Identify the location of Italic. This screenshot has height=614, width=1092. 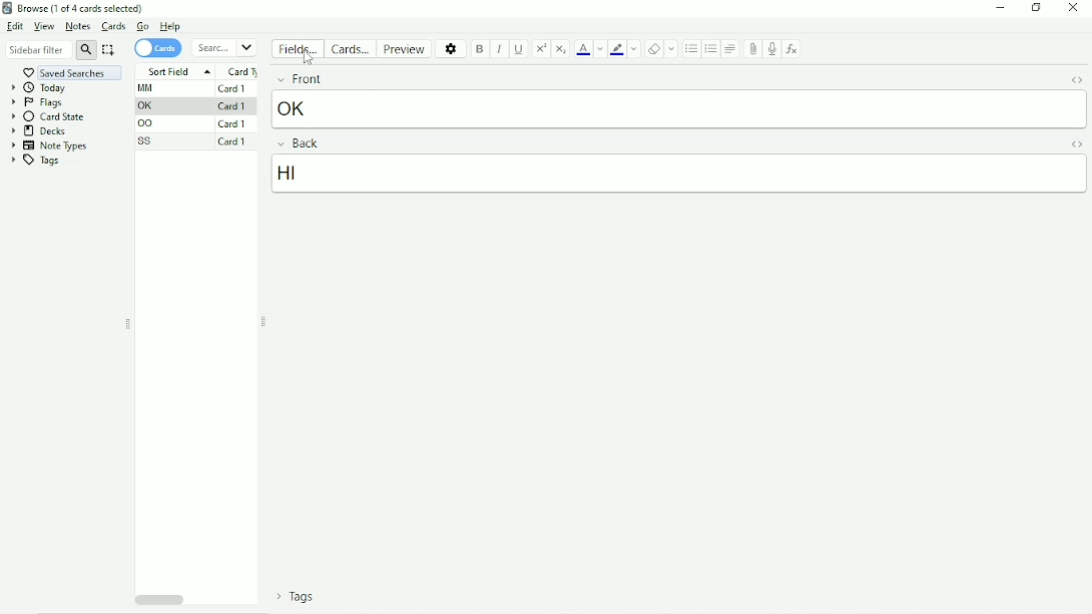
(500, 49).